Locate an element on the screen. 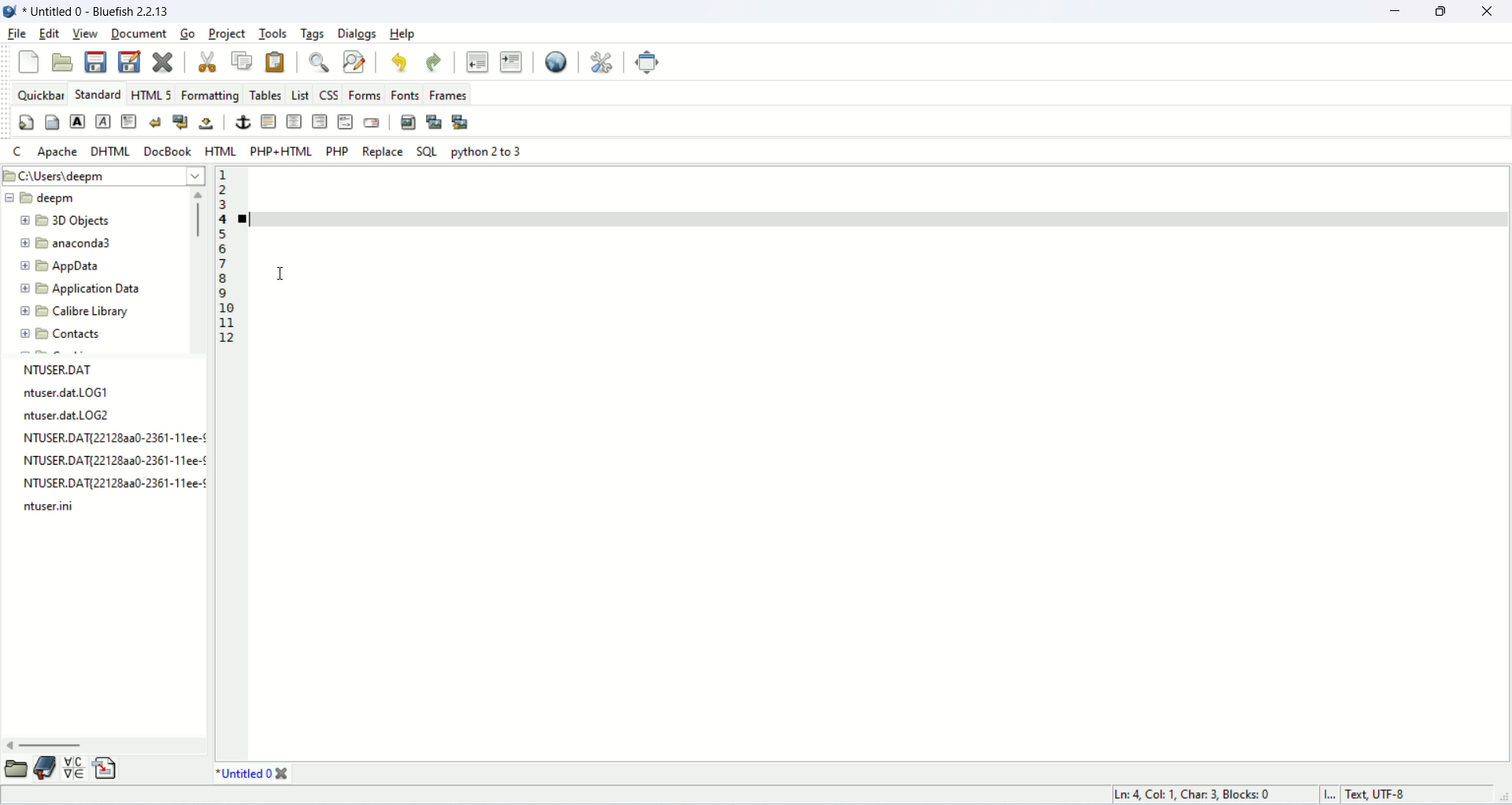 This screenshot has height=805, width=1512. show find bar is located at coordinates (322, 62).